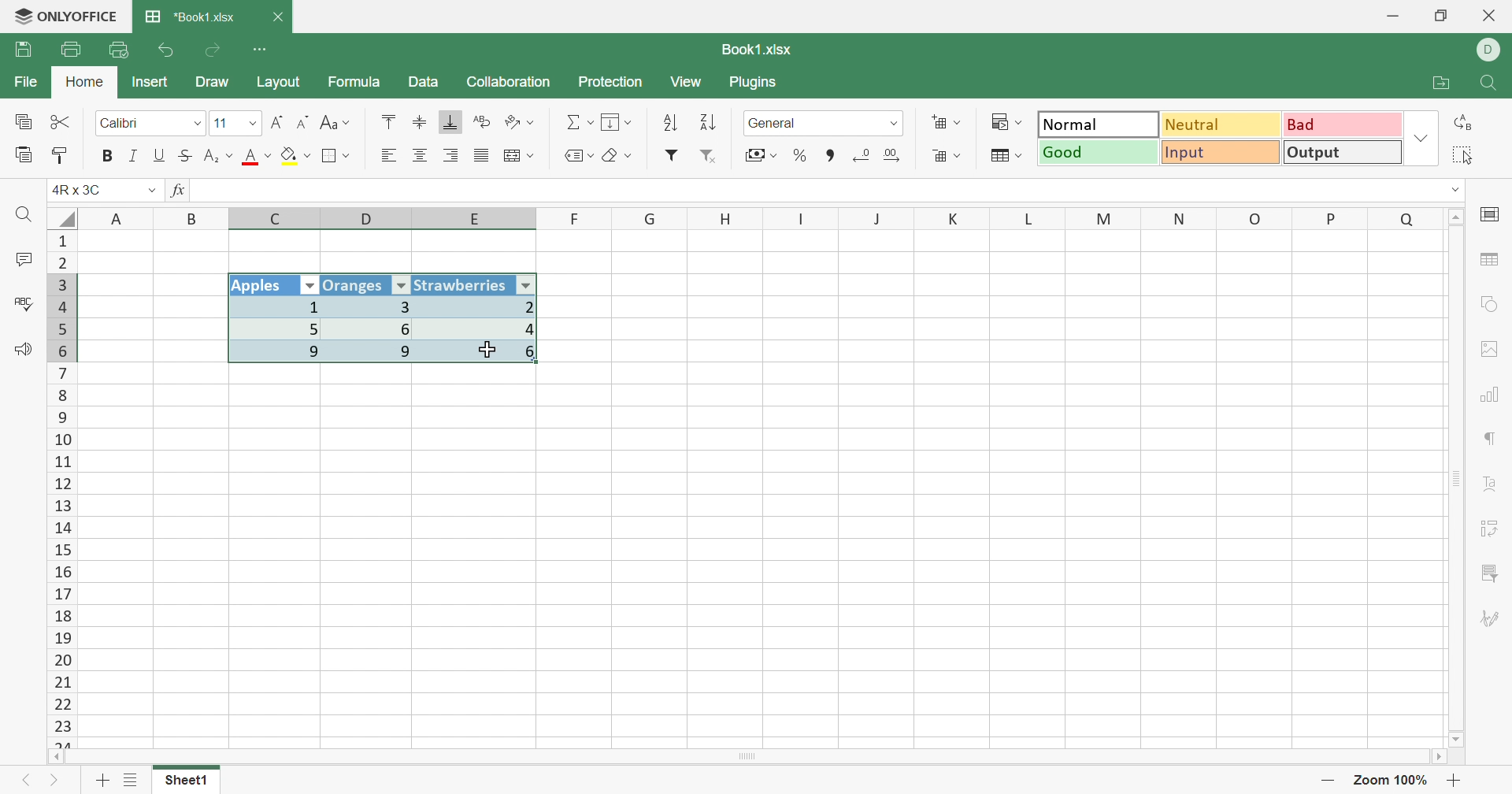 This screenshot has height=794, width=1512. Describe the element at coordinates (1458, 189) in the screenshot. I see `Drop Down` at that location.